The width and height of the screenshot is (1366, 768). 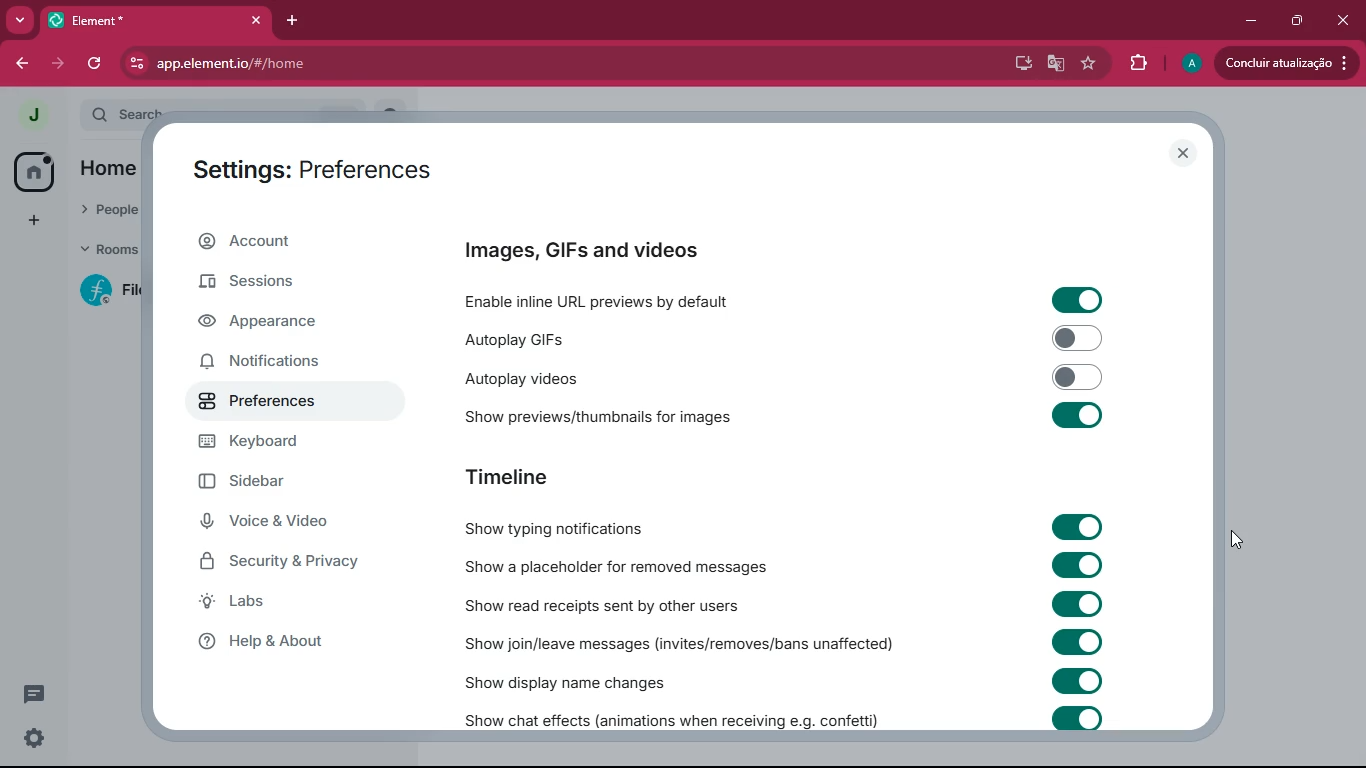 What do you see at coordinates (34, 694) in the screenshot?
I see `threads` at bounding box center [34, 694].